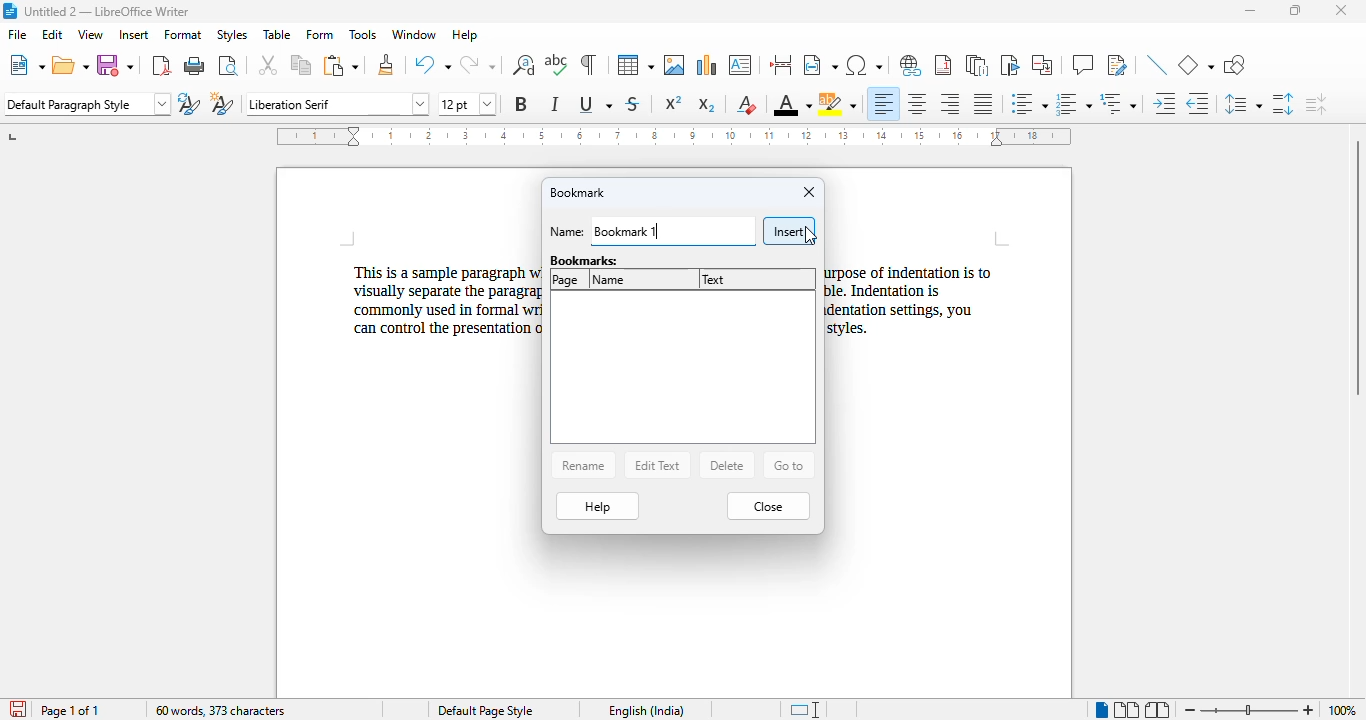 Image resolution: width=1366 pixels, height=720 pixels. What do you see at coordinates (1192, 710) in the screenshot?
I see `zoom out` at bounding box center [1192, 710].